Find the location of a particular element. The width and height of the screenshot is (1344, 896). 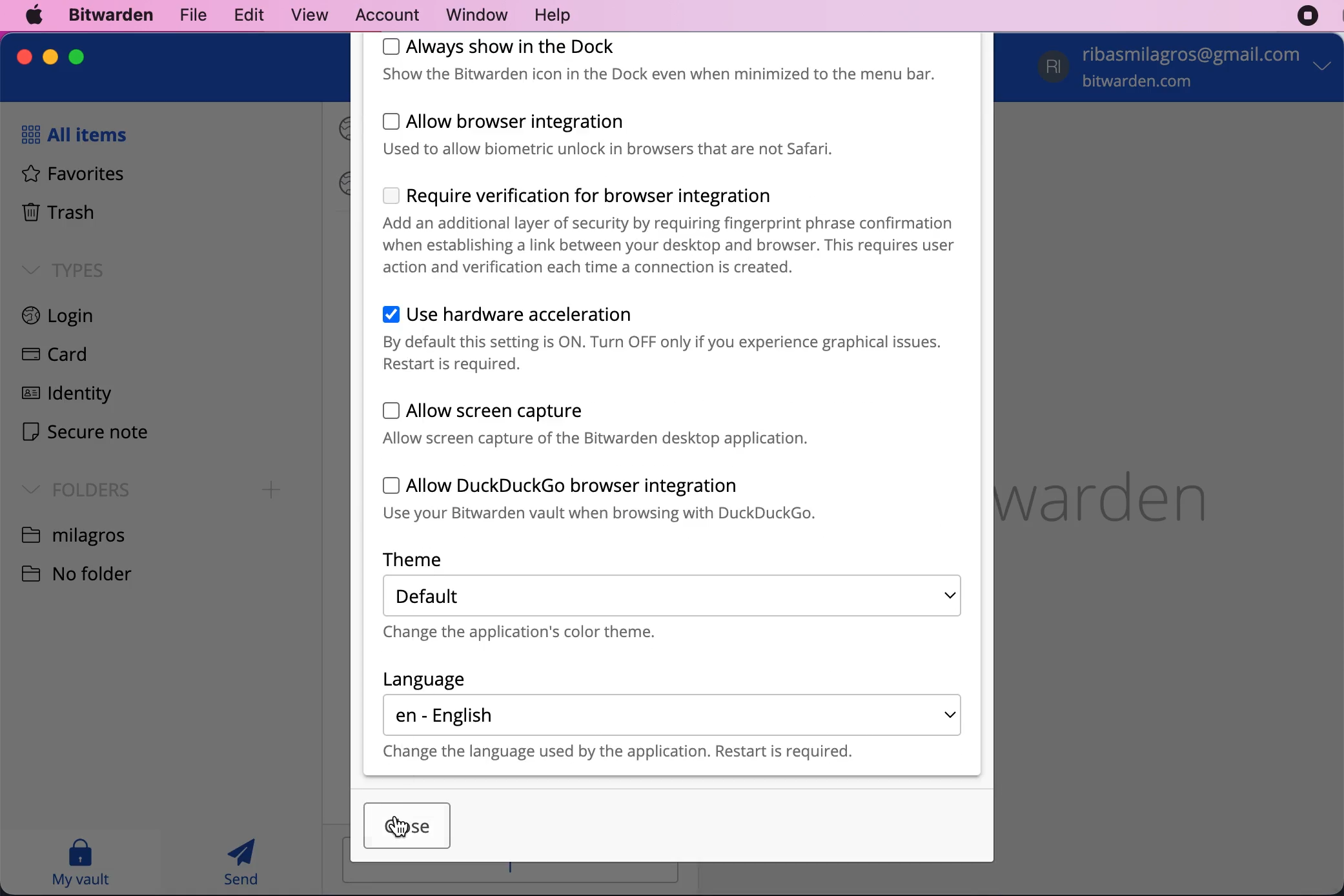

favorites is located at coordinates (66, 176).